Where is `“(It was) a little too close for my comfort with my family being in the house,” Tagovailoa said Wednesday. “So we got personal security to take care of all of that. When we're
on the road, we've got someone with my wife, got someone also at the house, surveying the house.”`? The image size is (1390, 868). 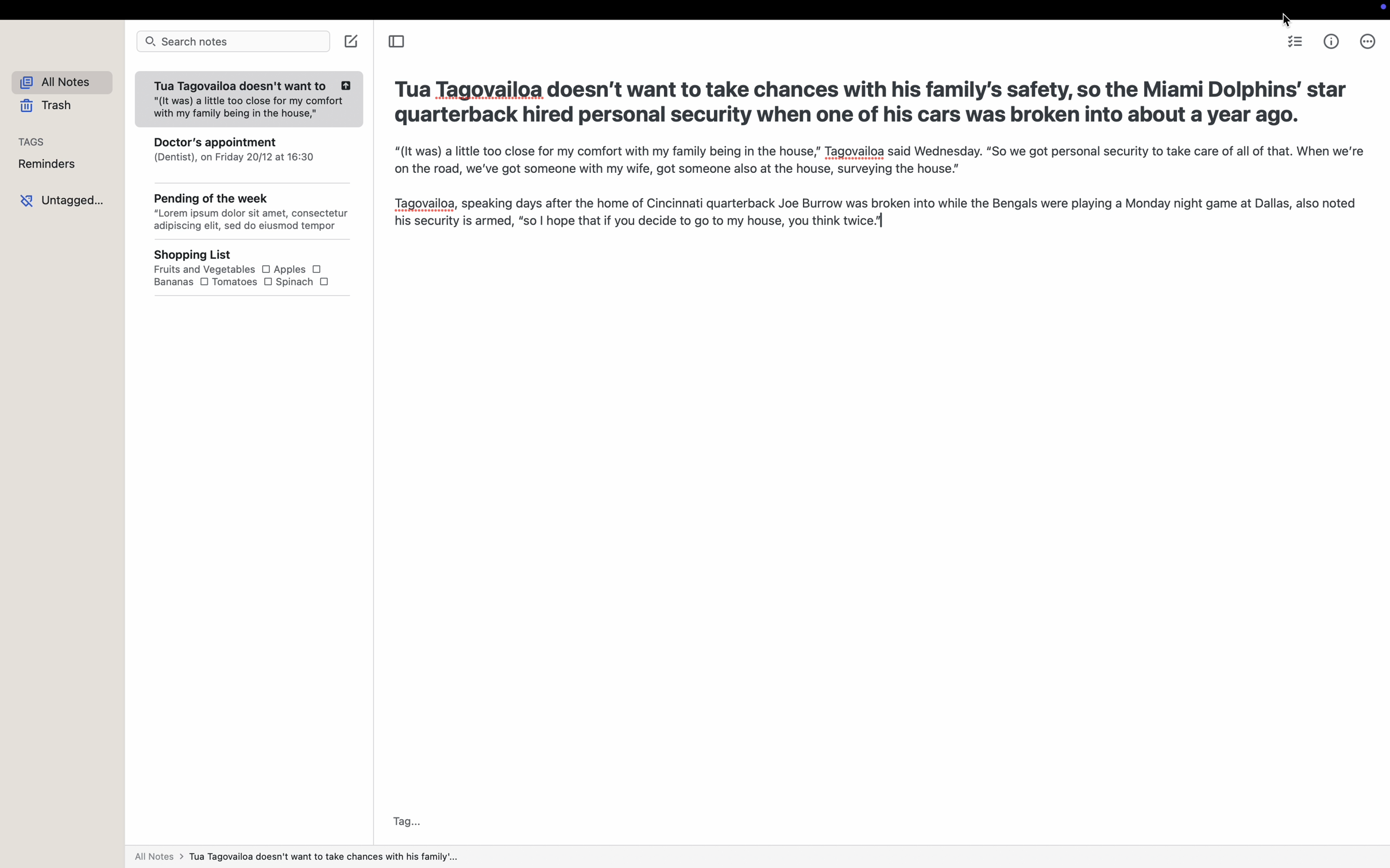
“(It was) a little too close for my comfort with my family being in the house,” Tagovailoa said Wednesday. “So we got personal security to take care of all of that. When we're
on the road, we've got someone with my wife, got someone also at the house, surveying the house.” is located at coordinates (877, 162).